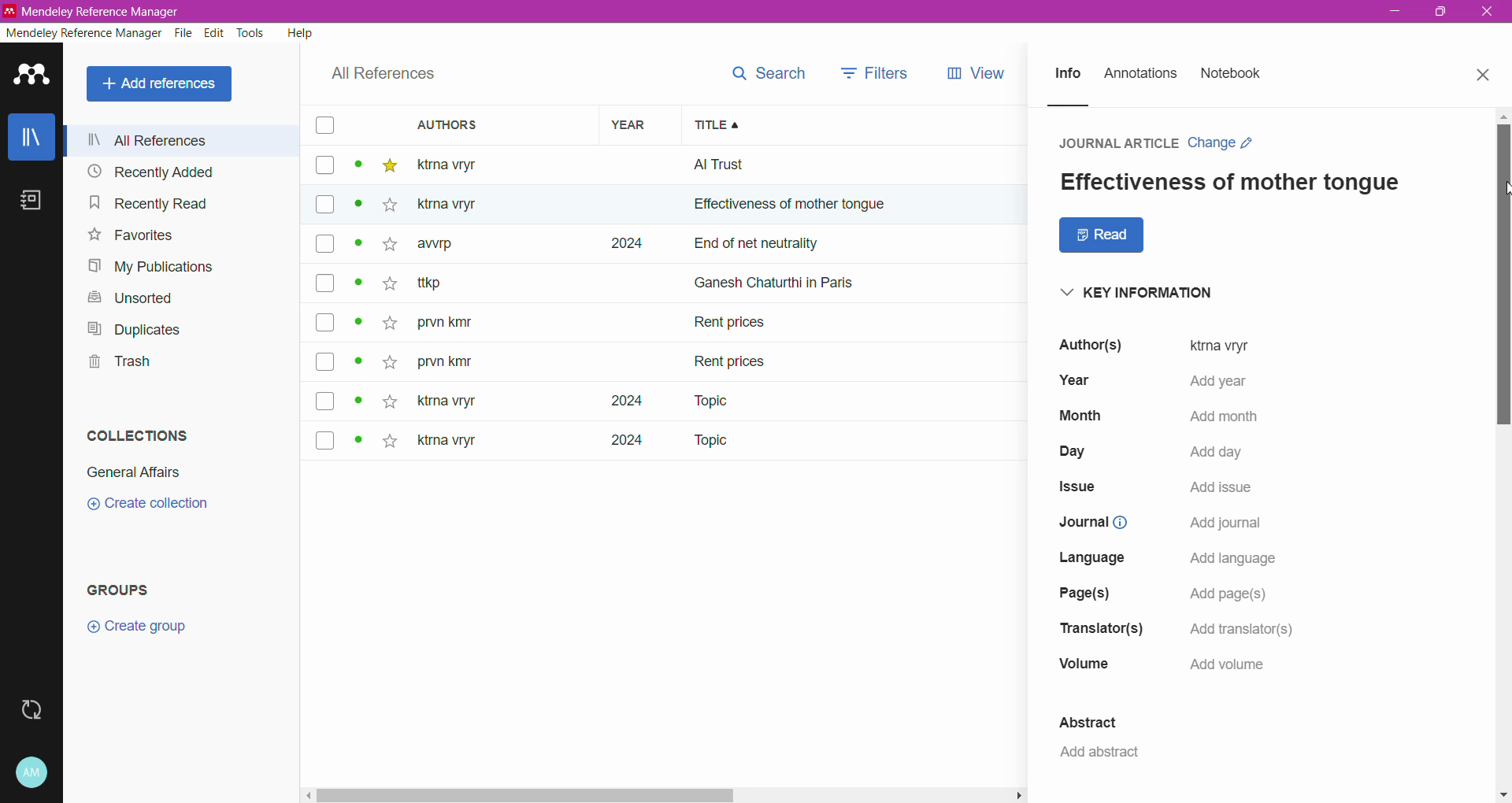 The height and width of the screenshot is (803, 1512). Describe the element at coordinates (1130, 291) in the screenshot. I see `Key Information` at that location.